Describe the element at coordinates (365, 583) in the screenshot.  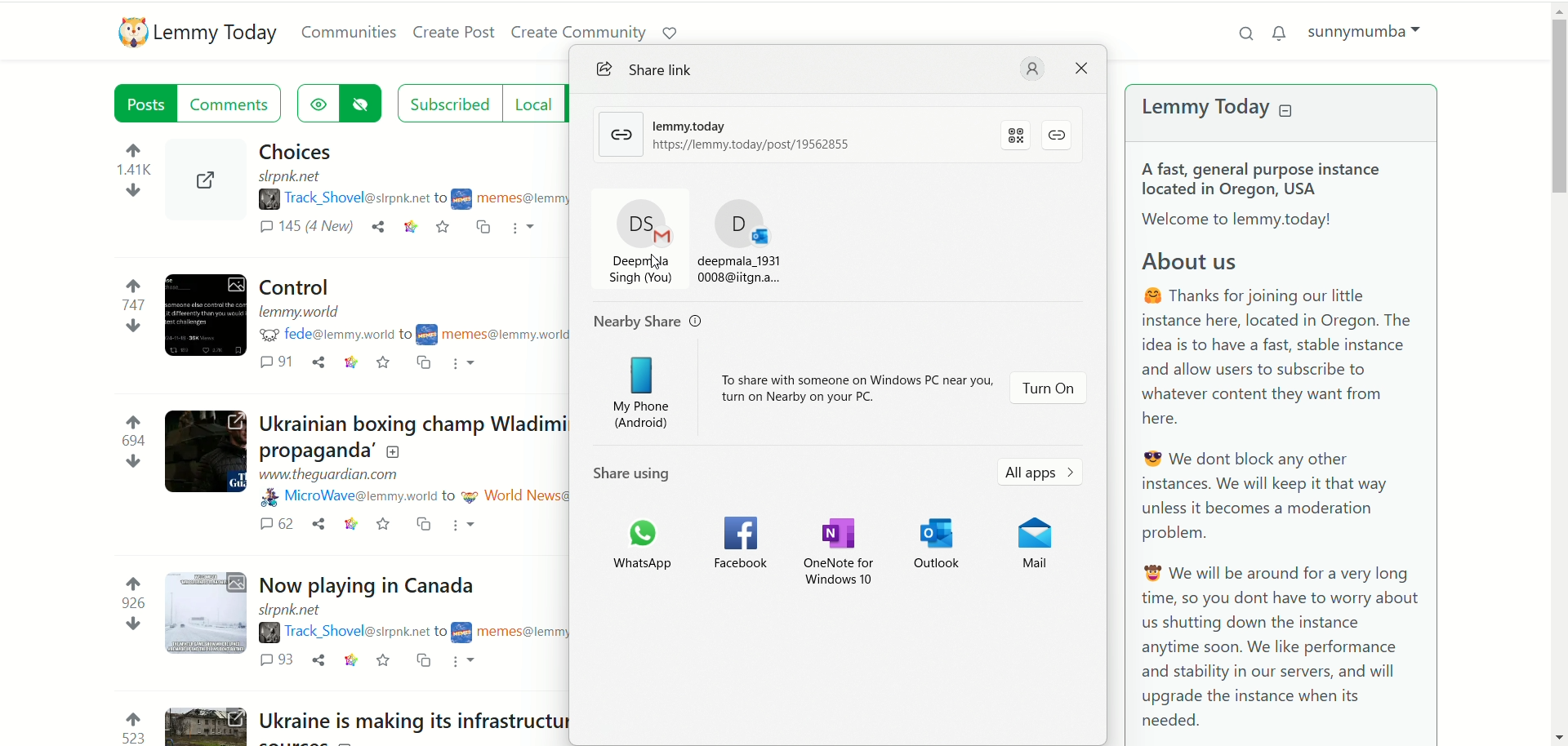
I see `Post on "Now playing in Canada"` at that location.